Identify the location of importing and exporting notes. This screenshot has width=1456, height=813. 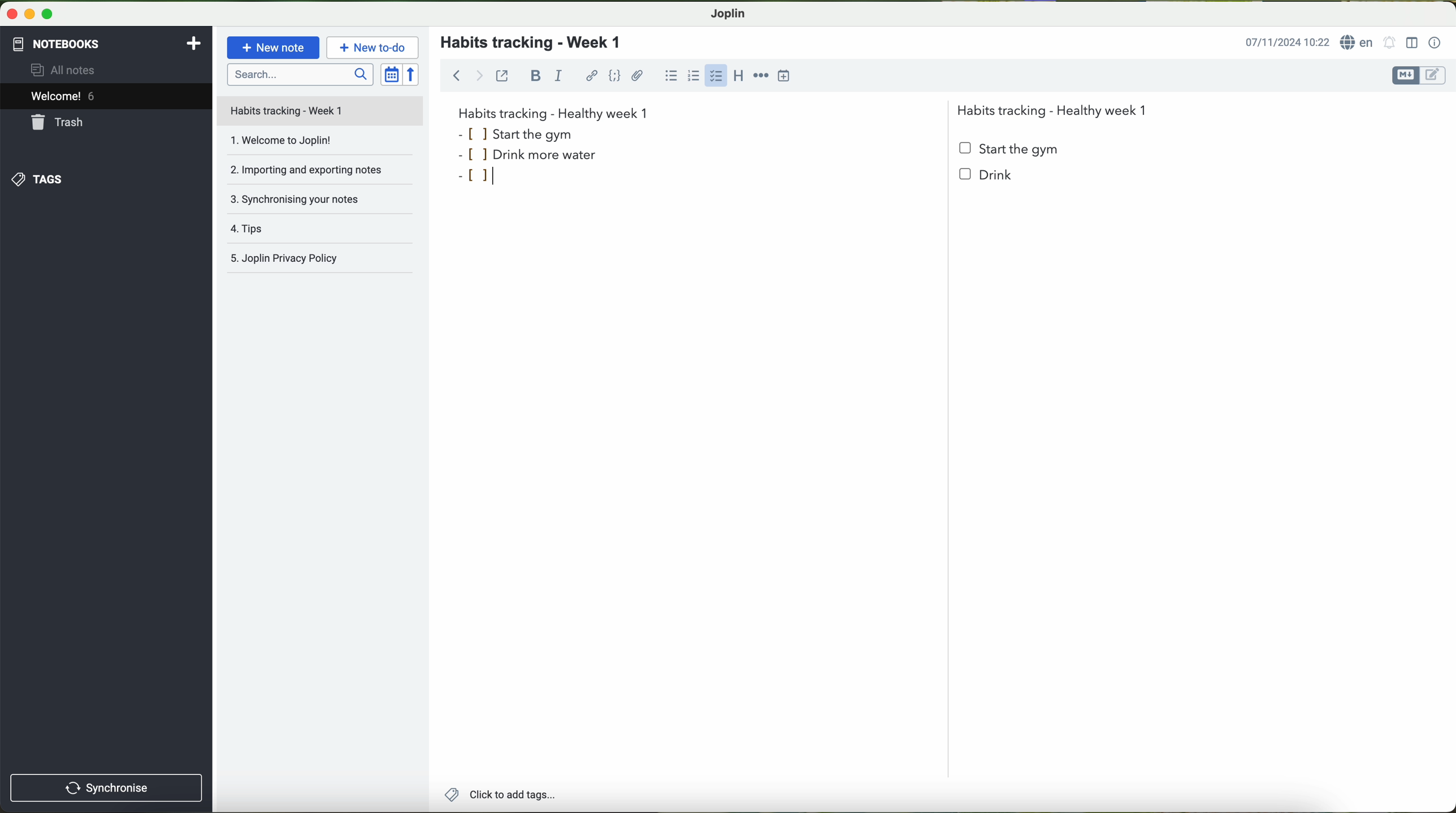
(319, 174).